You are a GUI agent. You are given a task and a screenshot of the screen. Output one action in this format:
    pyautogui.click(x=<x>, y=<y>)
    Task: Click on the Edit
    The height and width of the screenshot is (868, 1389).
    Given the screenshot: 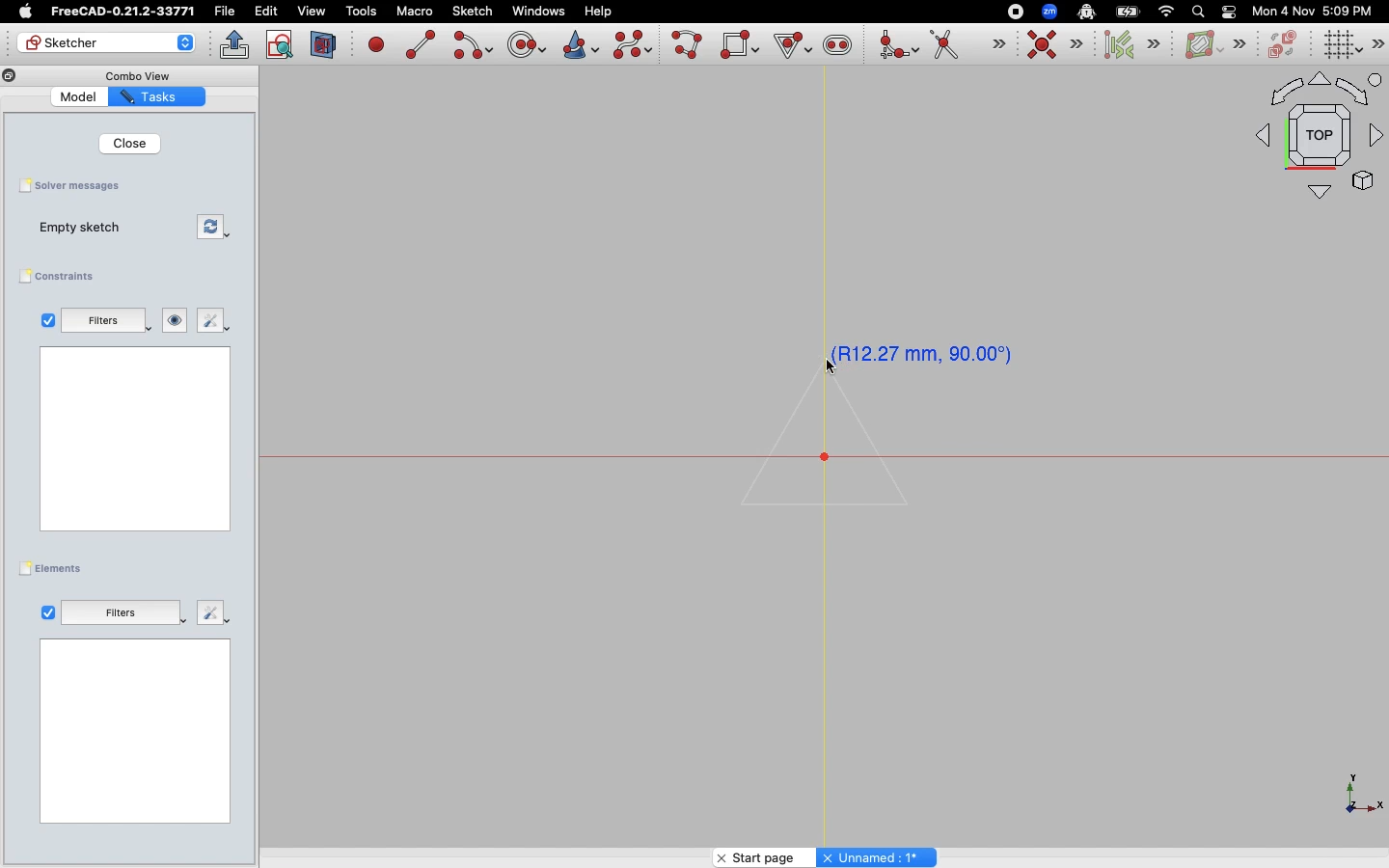 What is the action you would take?
    pyautogui.click(x=266, y=12)
    